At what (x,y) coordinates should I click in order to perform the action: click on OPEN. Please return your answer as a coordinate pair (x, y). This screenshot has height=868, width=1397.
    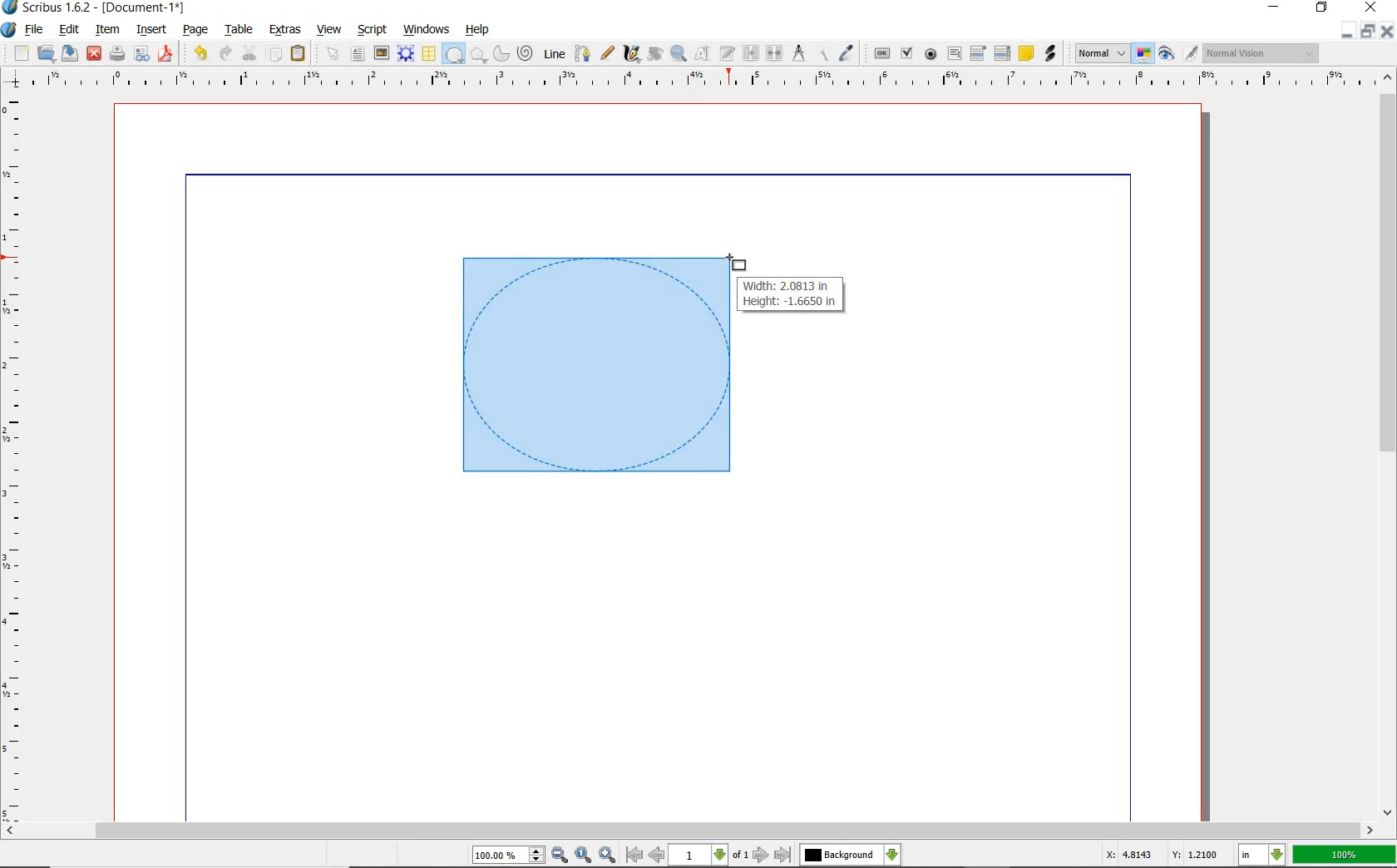
    Looking at the image, I should click on (46, 52).